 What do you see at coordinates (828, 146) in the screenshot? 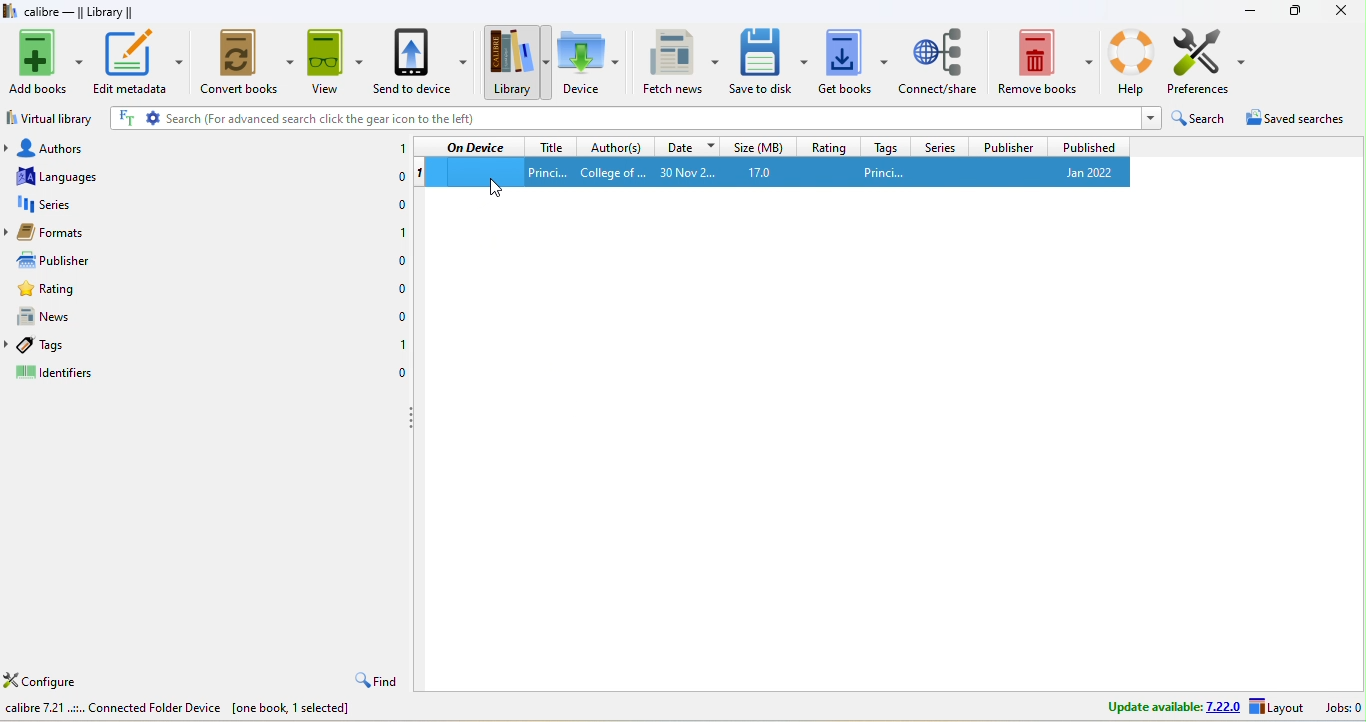
I see `rating` at bounding box center [828, 146].